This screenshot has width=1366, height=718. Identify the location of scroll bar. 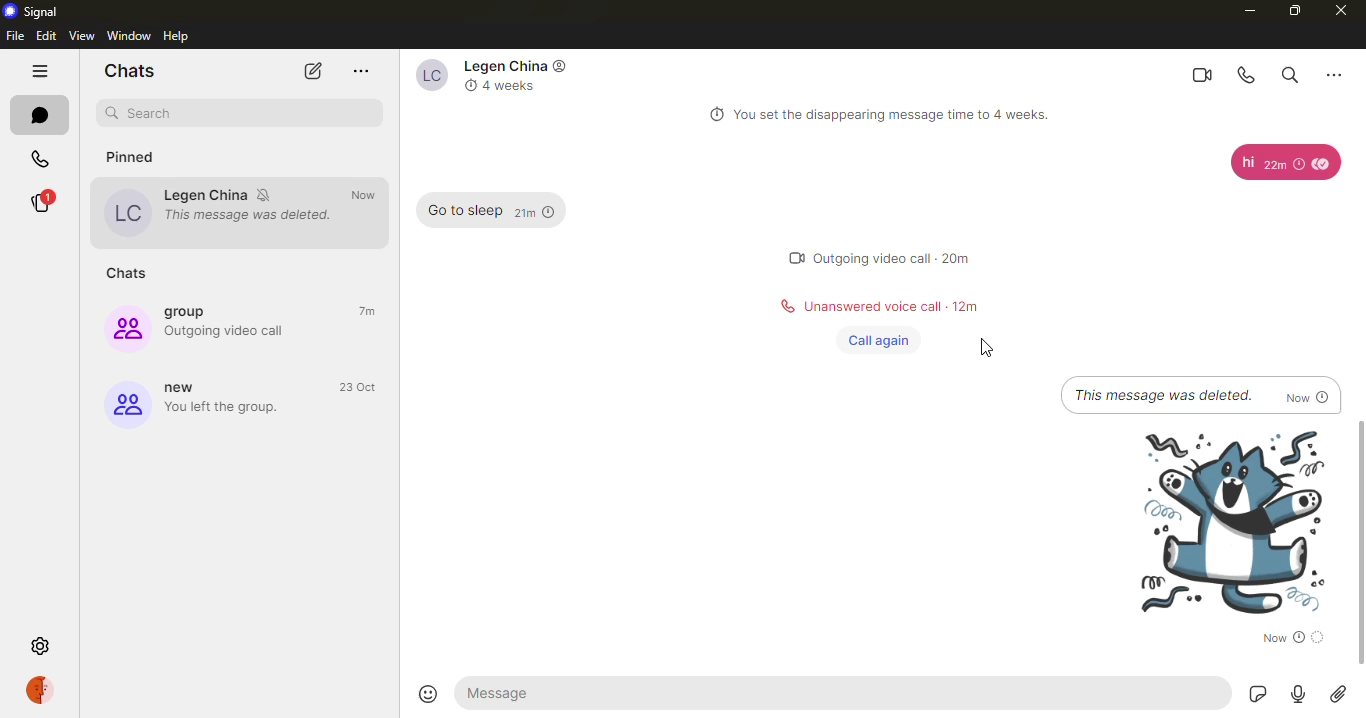
(1361, 512).